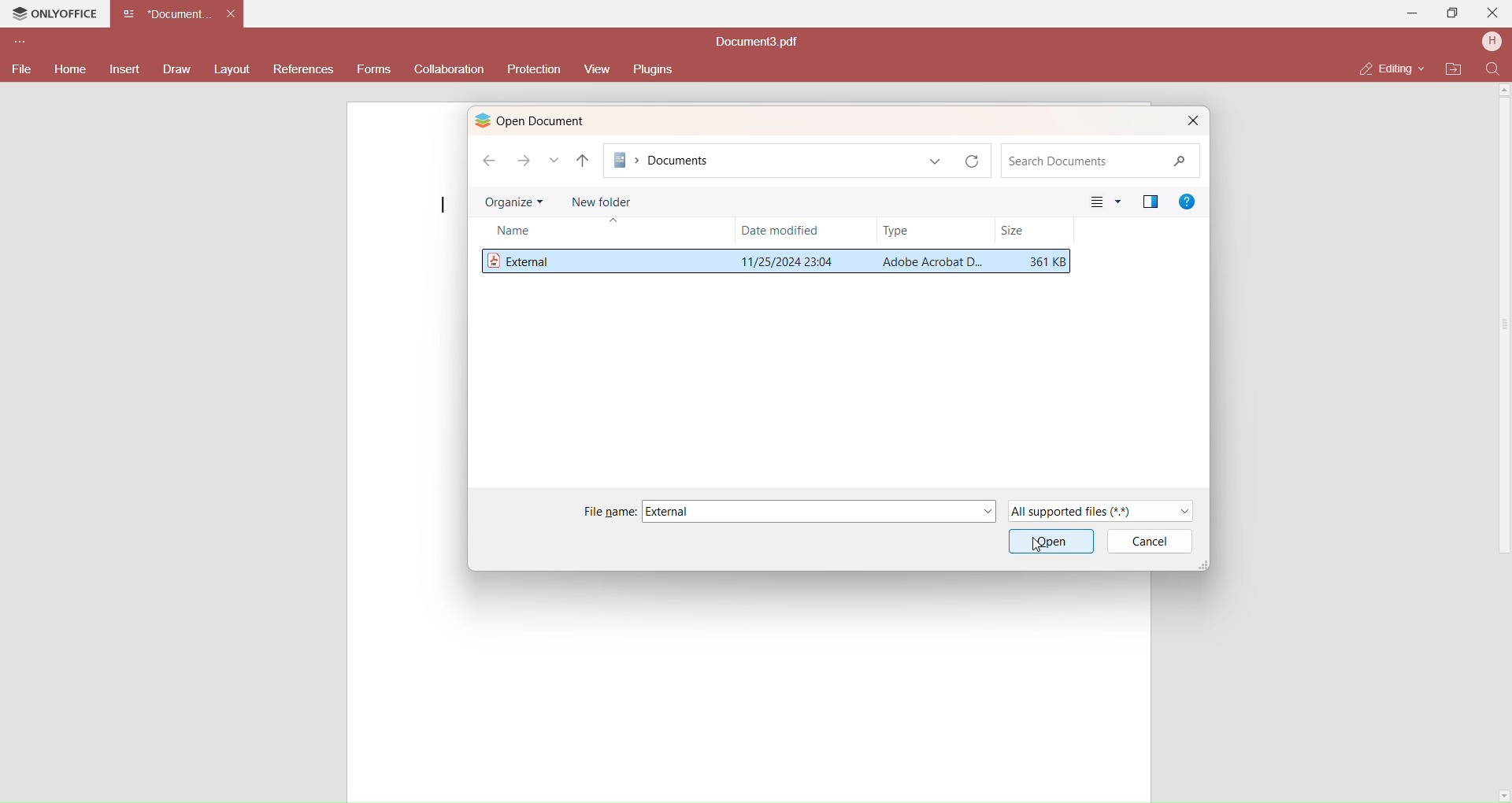 The width and height of the screenshot is (1512, 803). Describe the element at coordinates (1454, 16) in the screenshot. I see `Maximize` at that location.